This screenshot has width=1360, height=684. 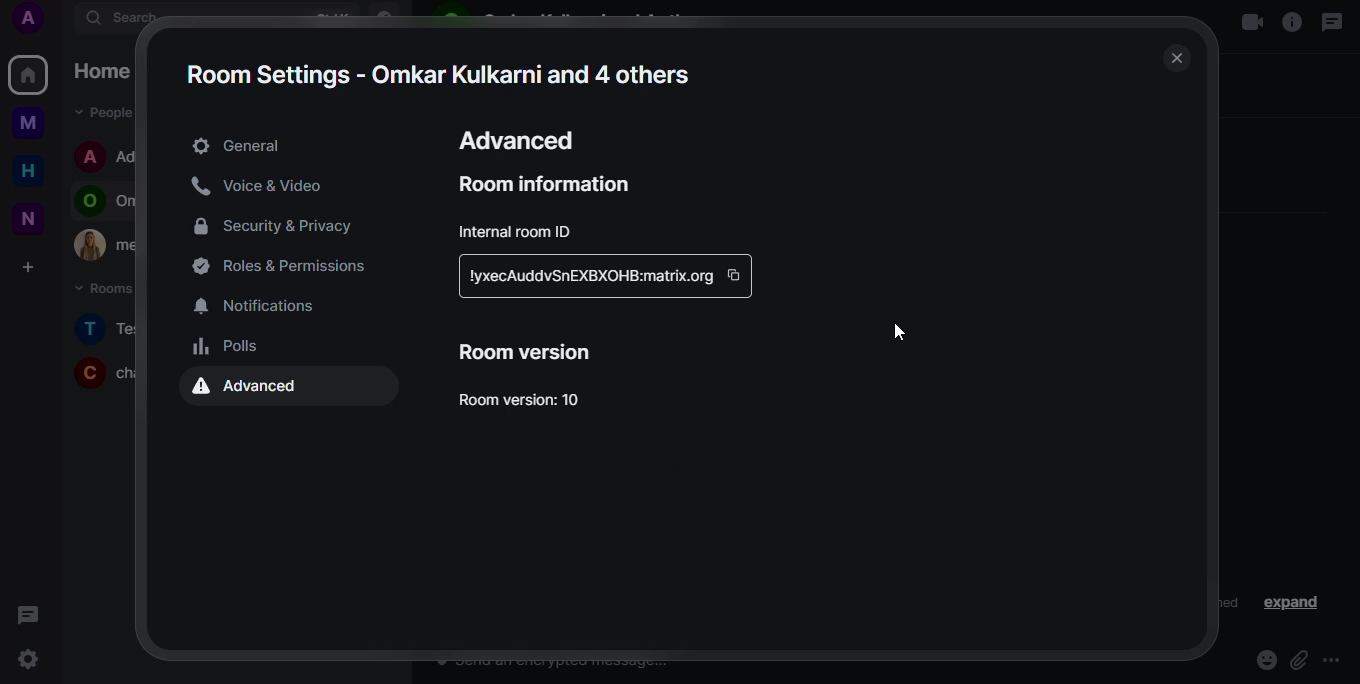 What do you see at coordinates (32, 267) in the screenshot?
I see `create space` at bounding box center [32, 267].